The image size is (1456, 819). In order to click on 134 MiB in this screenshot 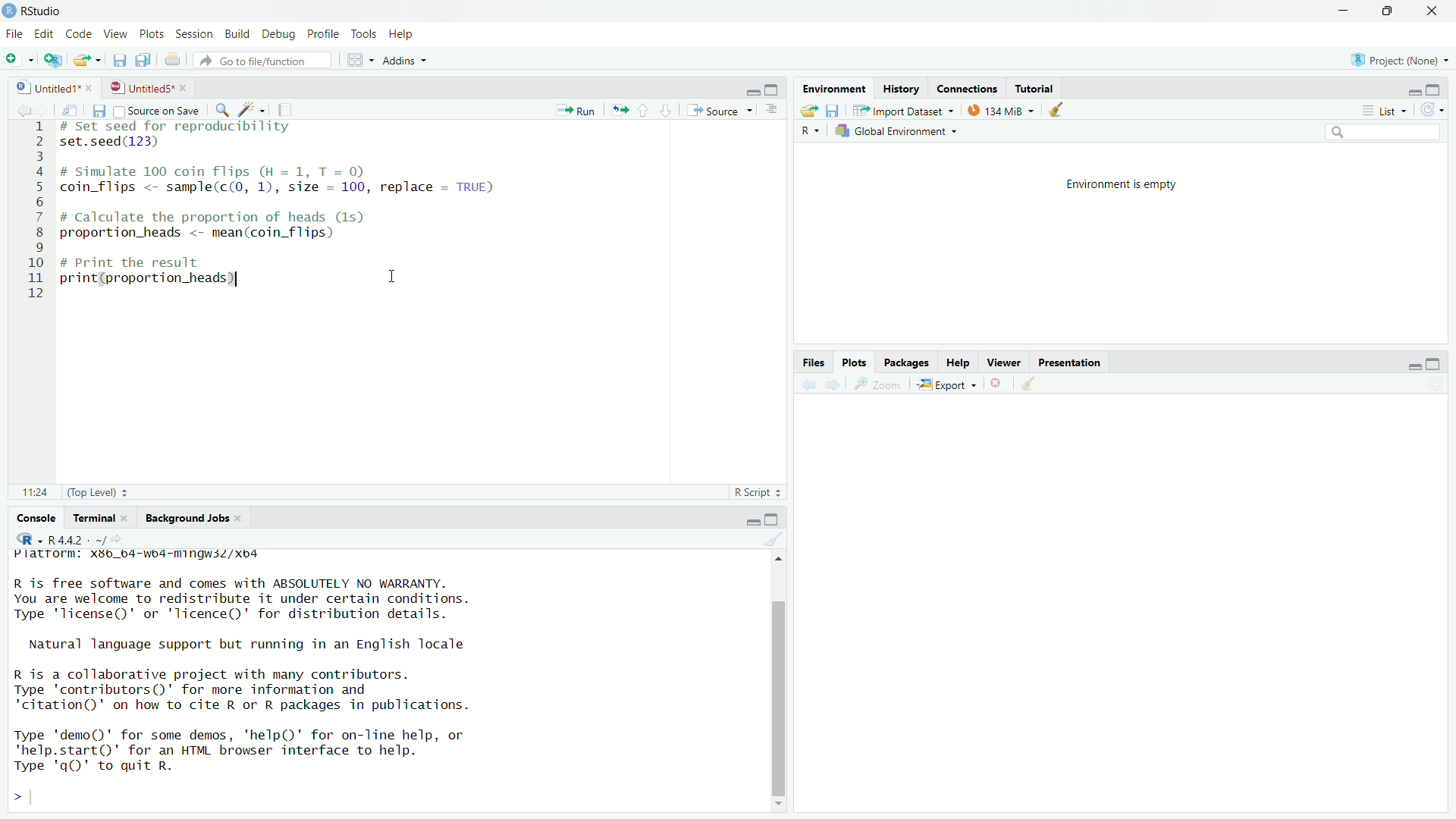, I will do `click(1001, 109)`.